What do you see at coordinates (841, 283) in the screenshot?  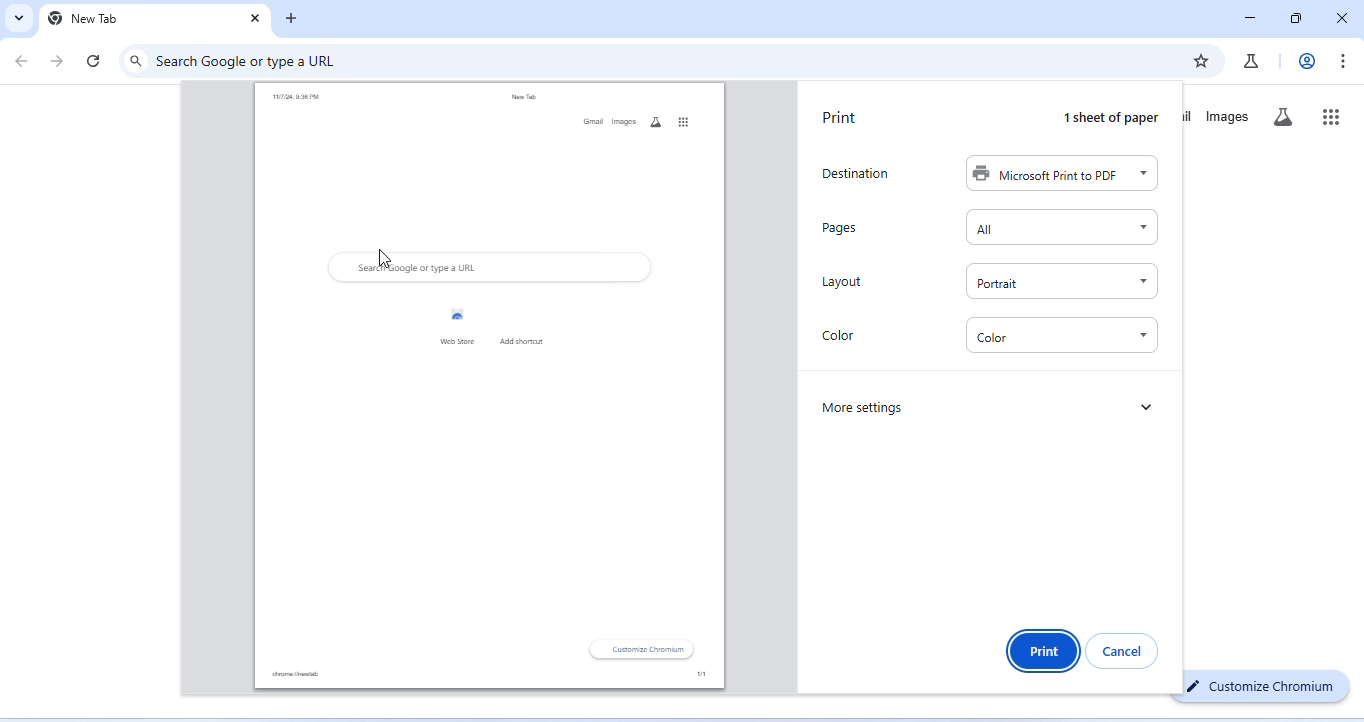 I see `layout` at bounding box center [841, 283].